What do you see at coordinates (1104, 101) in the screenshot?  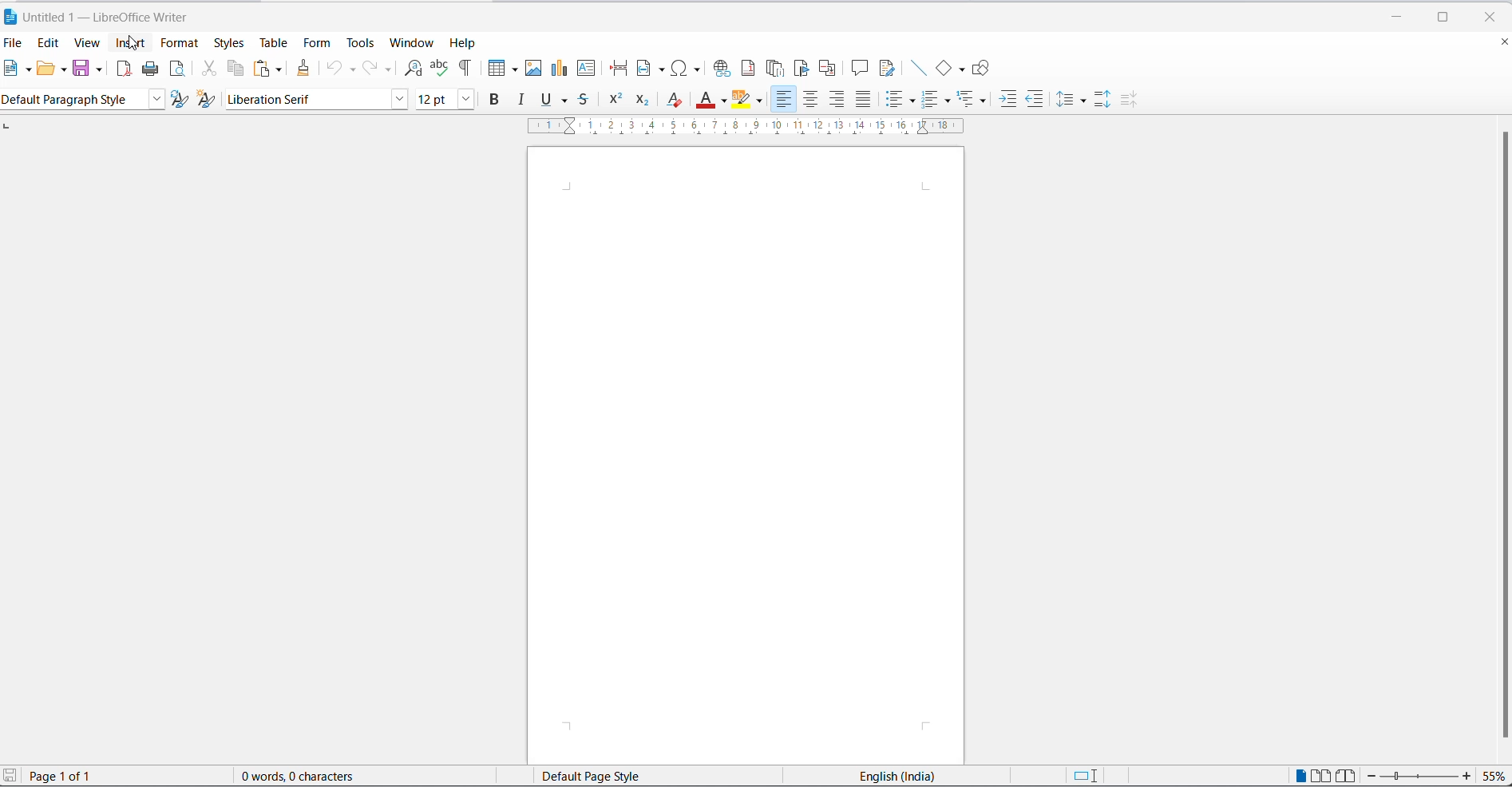 I see `increase paragraph spacing` at bounding box center [1104, 101].